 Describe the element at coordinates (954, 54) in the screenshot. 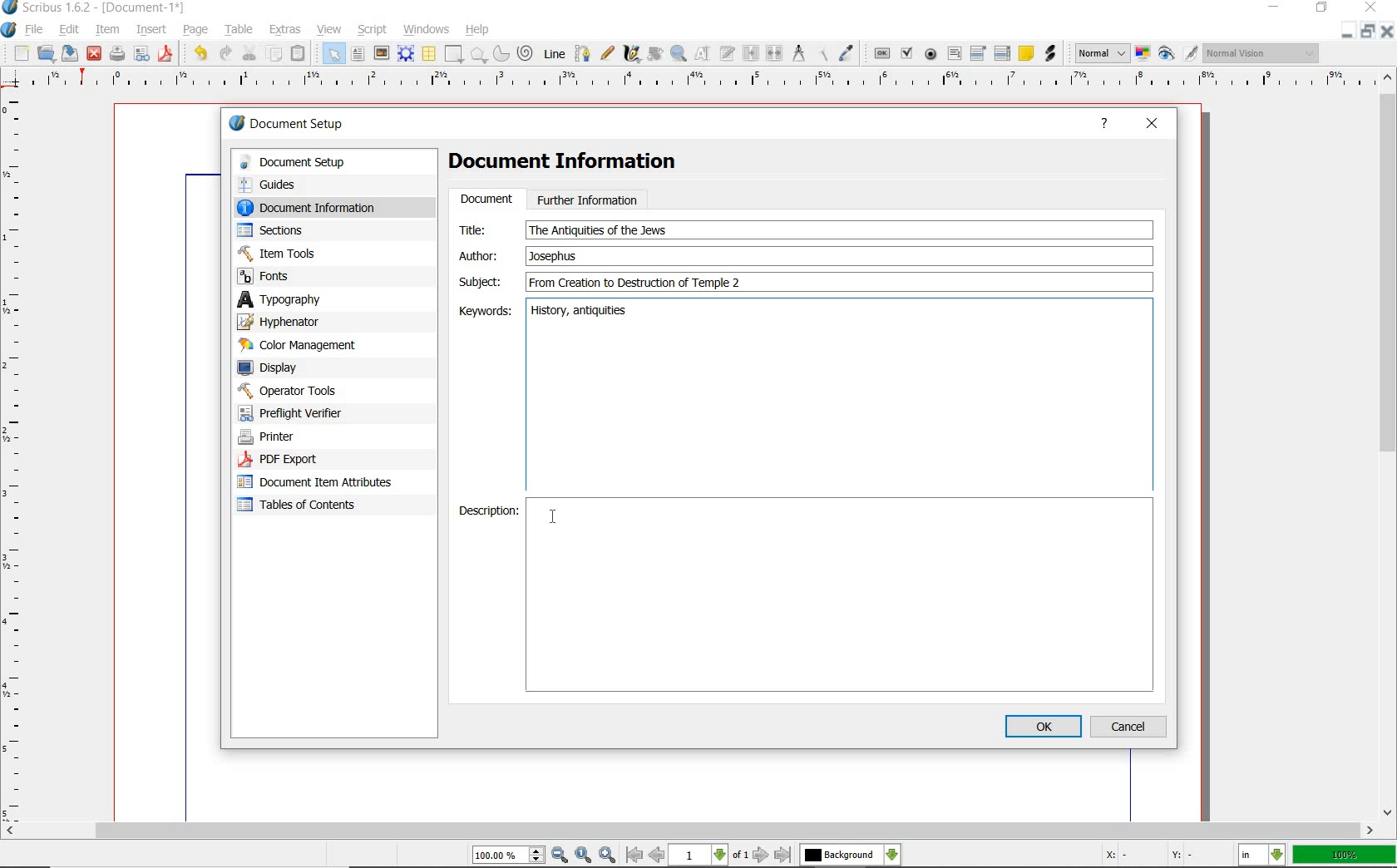

I see `pdf text field` at that location.